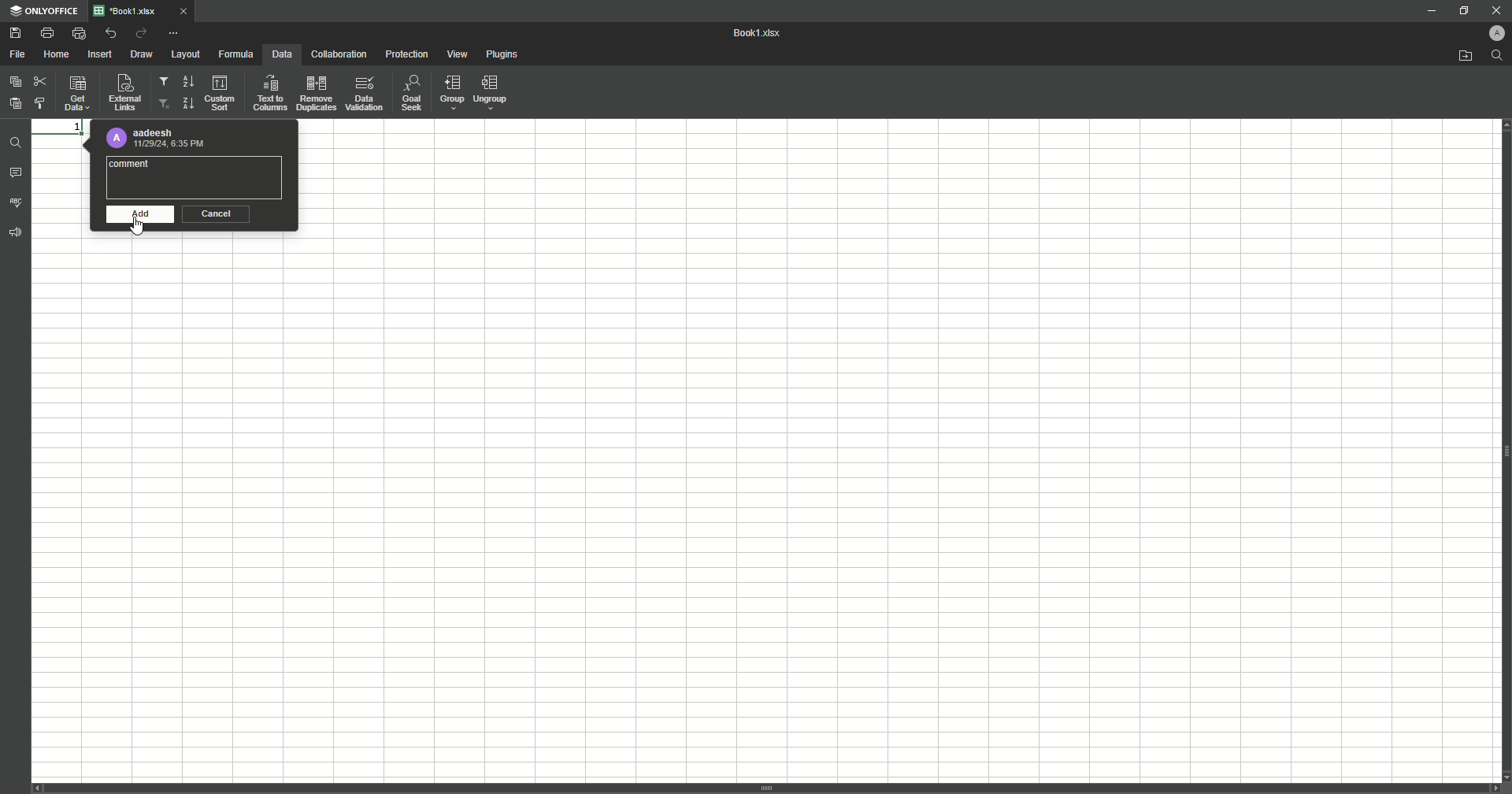 This screenshot has width=1512, height=794. Describe the element at coordinates (18, 54) in the screenshot. I see `File` at that location.